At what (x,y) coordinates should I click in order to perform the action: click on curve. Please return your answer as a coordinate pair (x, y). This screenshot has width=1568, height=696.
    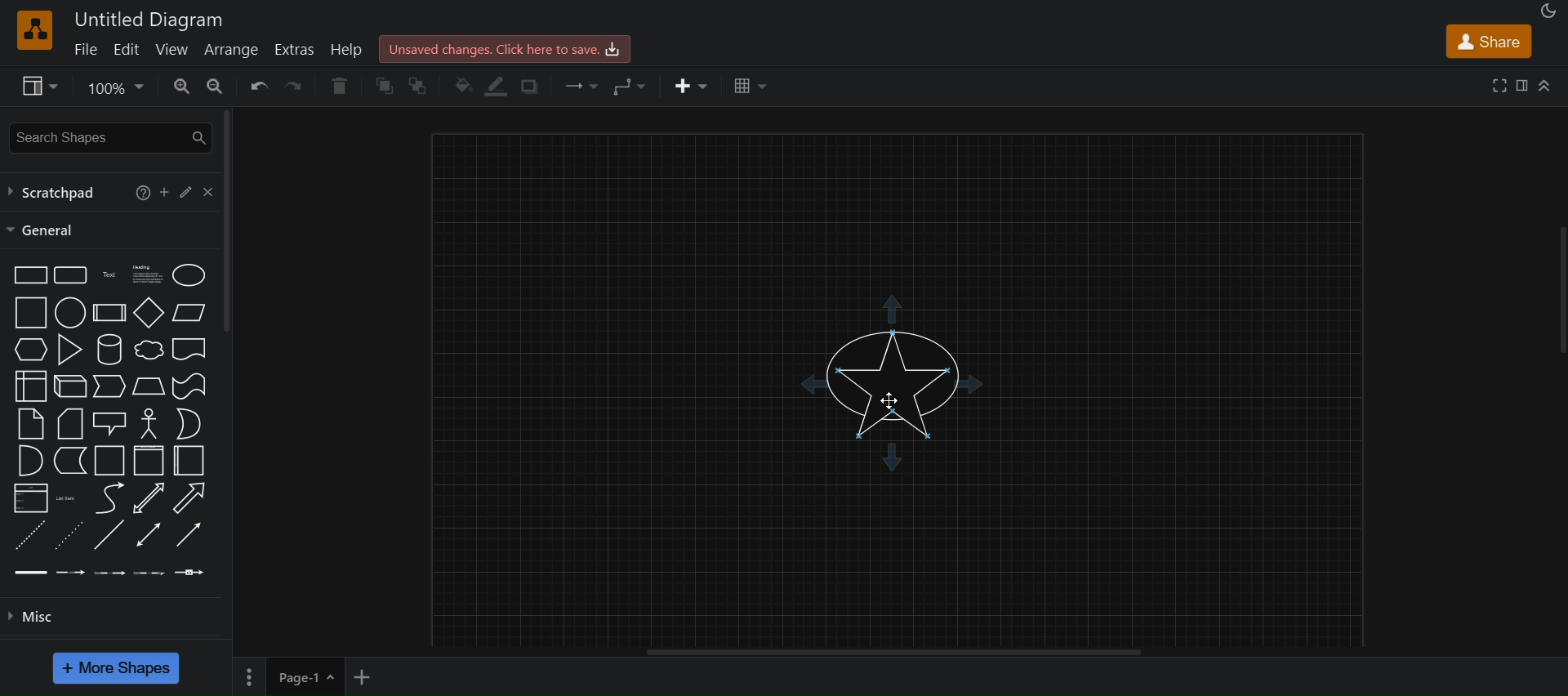
    Looking at the image, I should click on (109, 498).